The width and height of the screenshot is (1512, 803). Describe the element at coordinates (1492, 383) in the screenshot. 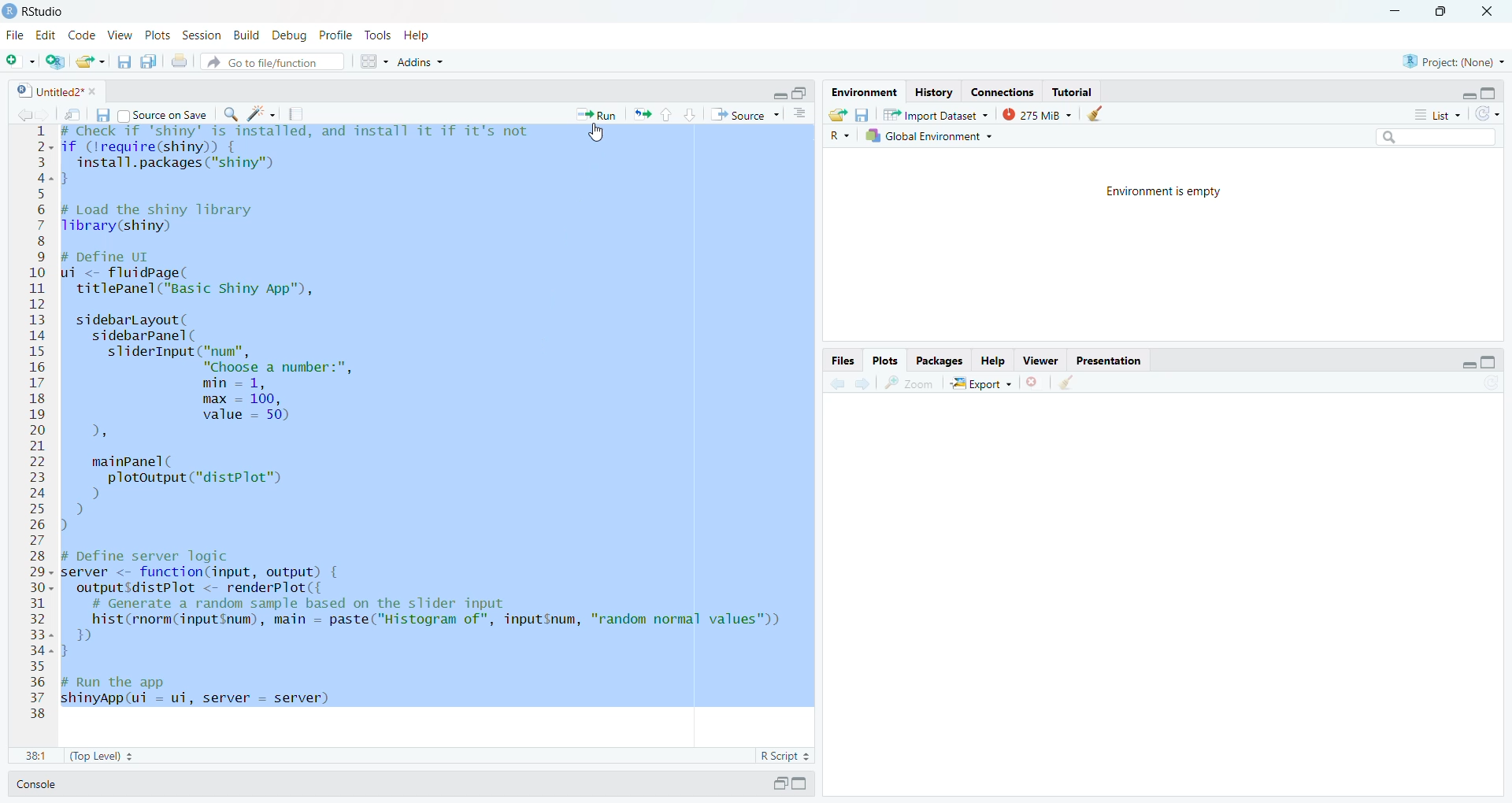

I see `refresh` at that location.